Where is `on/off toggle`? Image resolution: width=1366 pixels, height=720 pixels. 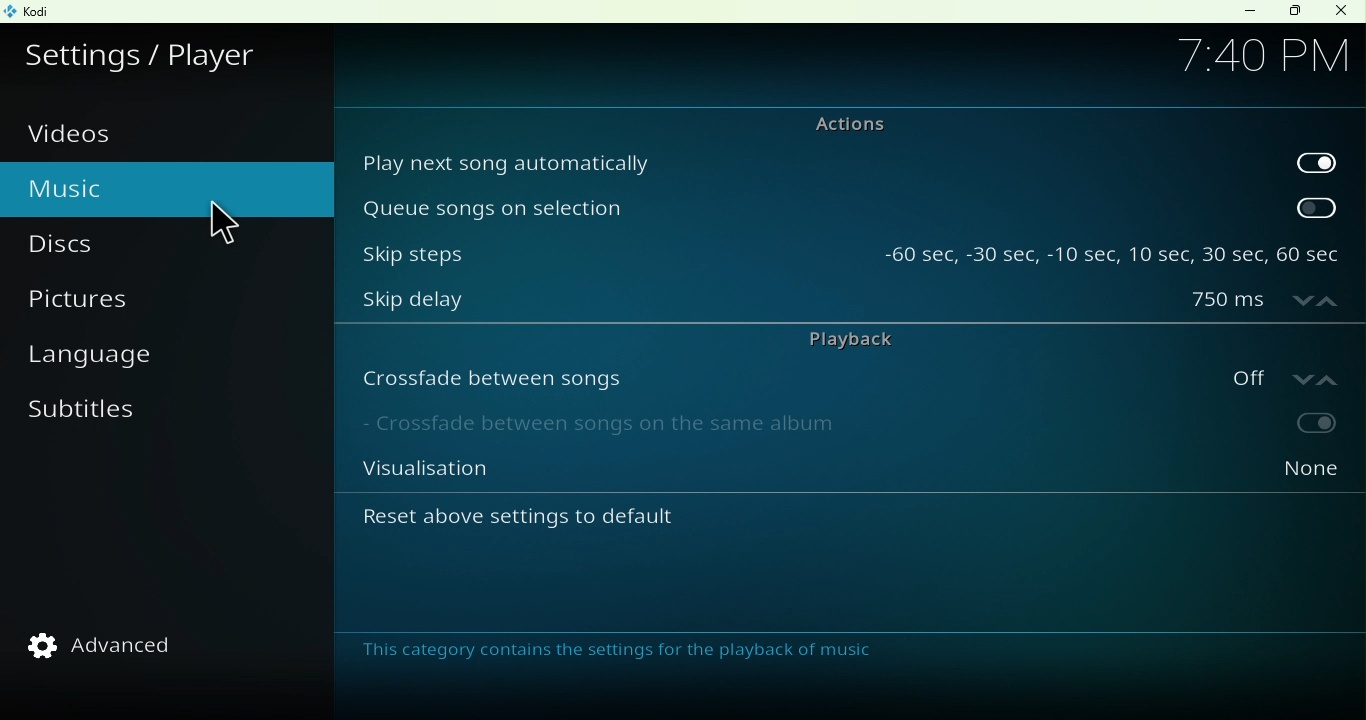
on/off toggle is located at coordinates (1269, 375).